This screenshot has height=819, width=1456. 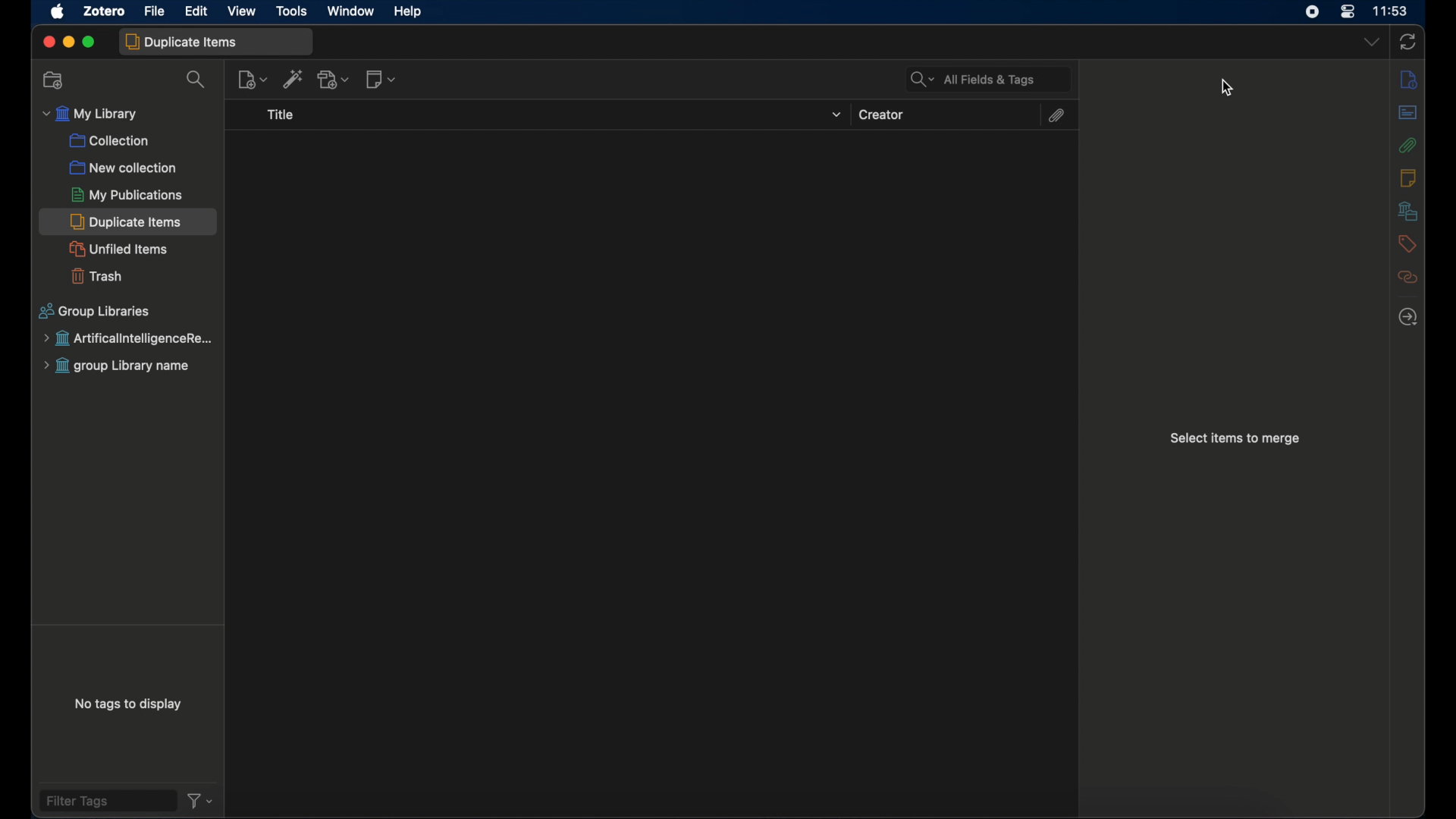 What do you see at coordinates (105, 801) in the screenshot?
I see `filter tags` at bounding box center [105, 801].